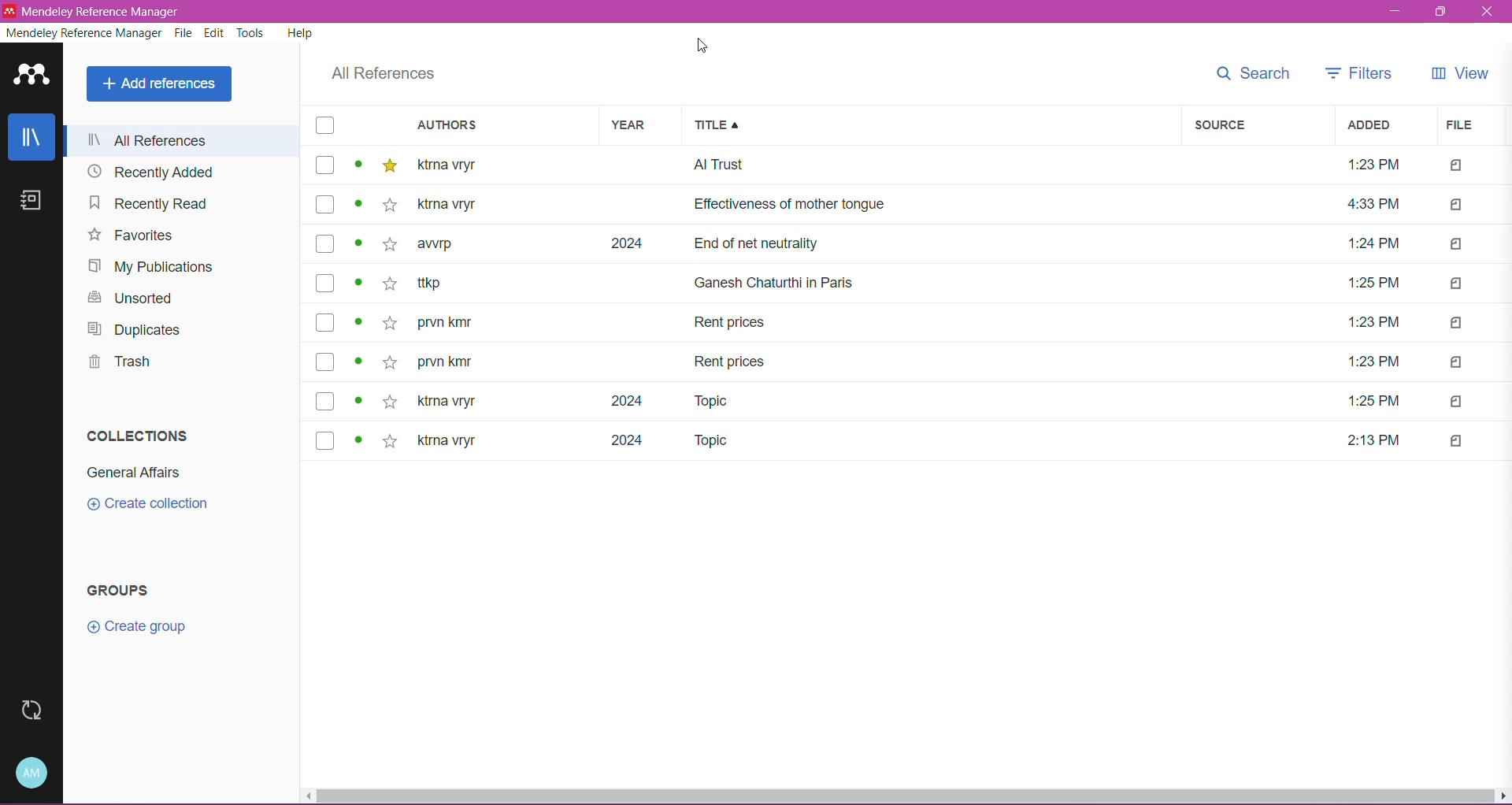  What do you see at coordinates (910, 323) in the screenshot?
I see `prvn kmr Rent prices 1:23 PM` at bounding box center [910, 323].